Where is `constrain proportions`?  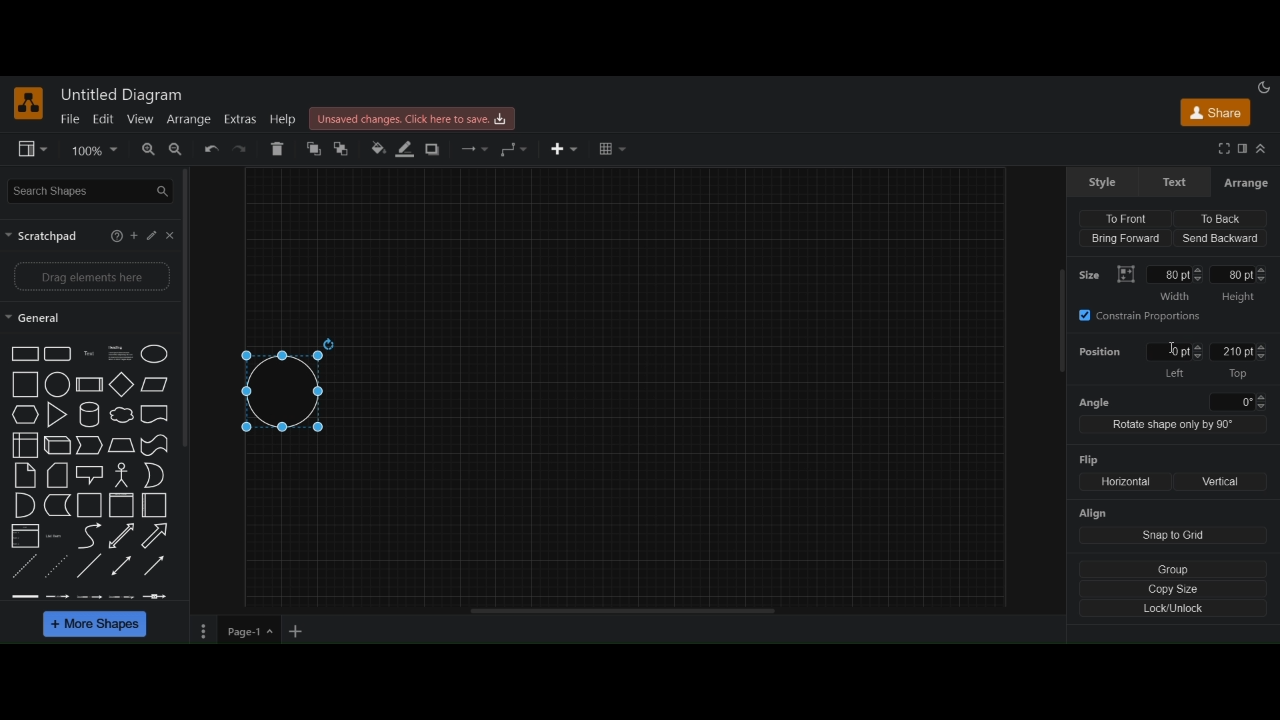
constrain proportions is located at coordinates (1148, 315).